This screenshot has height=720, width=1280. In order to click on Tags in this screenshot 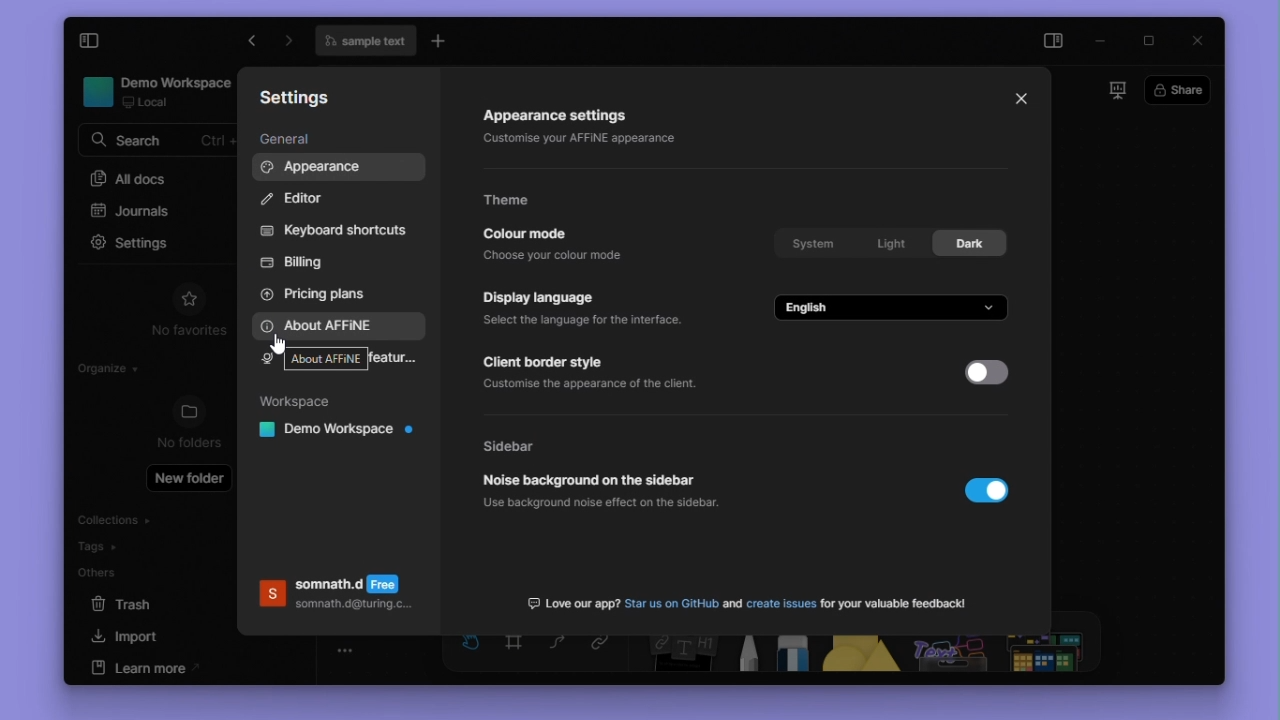, I will do `click(150, 547)`.